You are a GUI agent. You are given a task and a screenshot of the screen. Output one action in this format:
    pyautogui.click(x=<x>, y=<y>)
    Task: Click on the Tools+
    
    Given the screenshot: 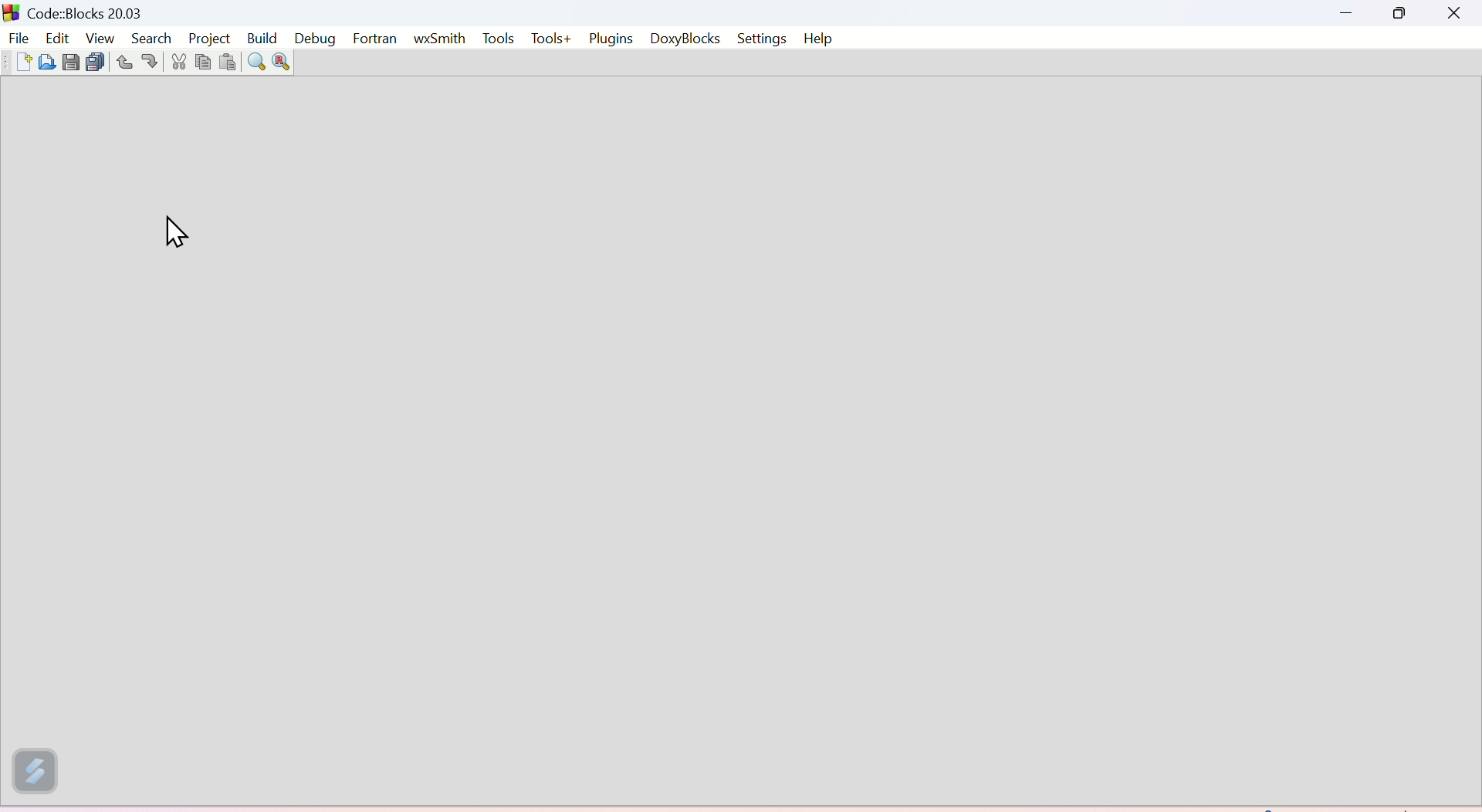 What is the action you would take?
    pyautogui.click(x=551, y=39)
    